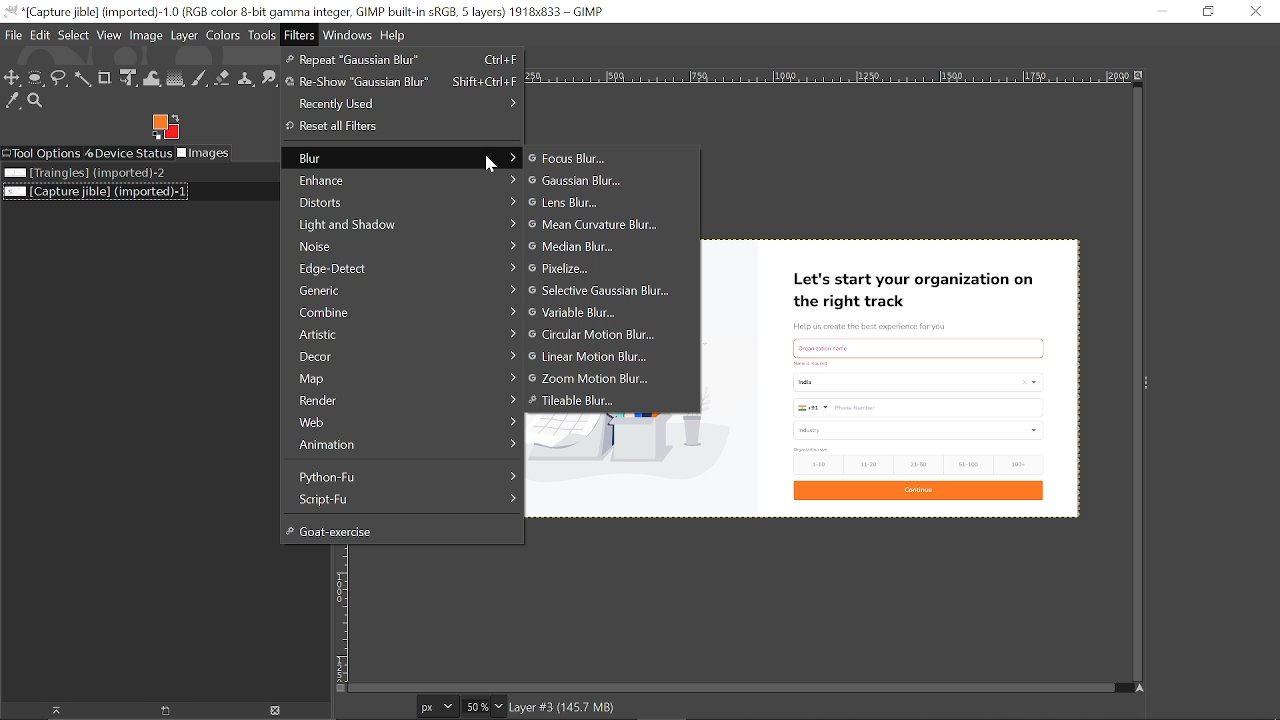  Describe the element at coordinates (604, 379) in the screenshot. I see `Zoom Motion Blur` at that location.